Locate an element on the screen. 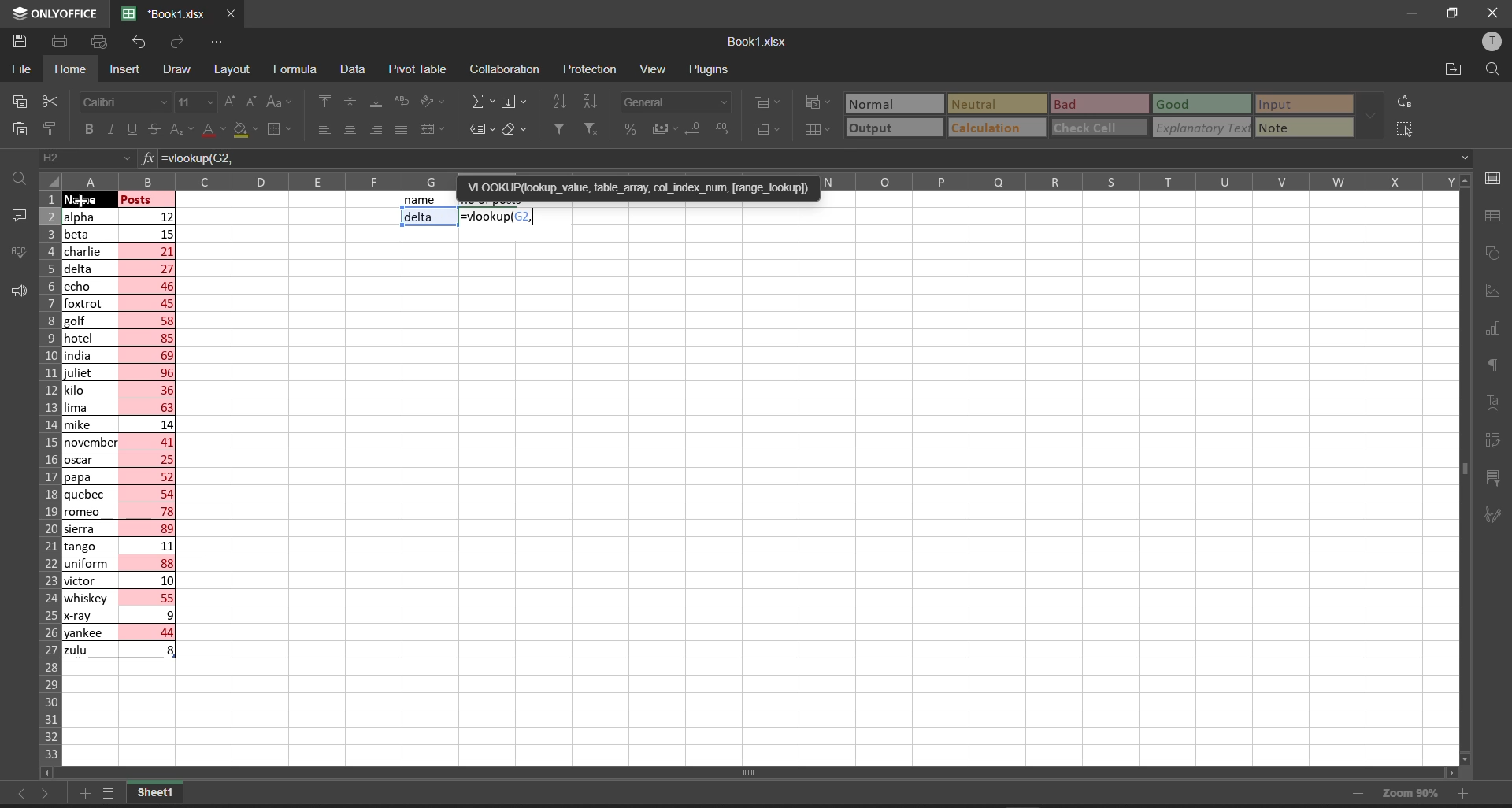 The width and height of the screenshot is (1512, 808). zoom out is located at coordinates (1356, 796).